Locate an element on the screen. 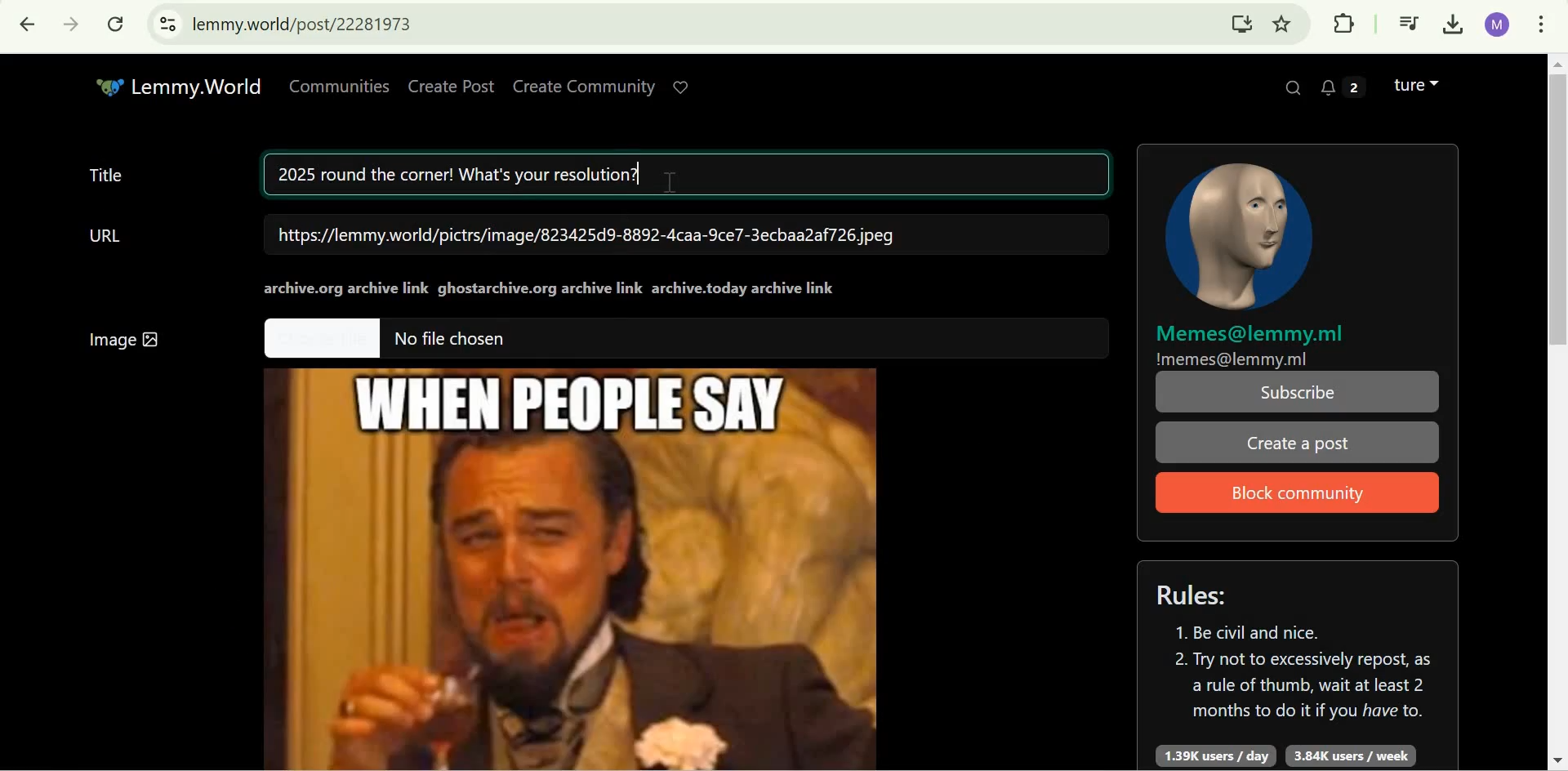 This screenshot has height=771, width=1568. Install Lemmy.World is located at coordinates (1243, 23).